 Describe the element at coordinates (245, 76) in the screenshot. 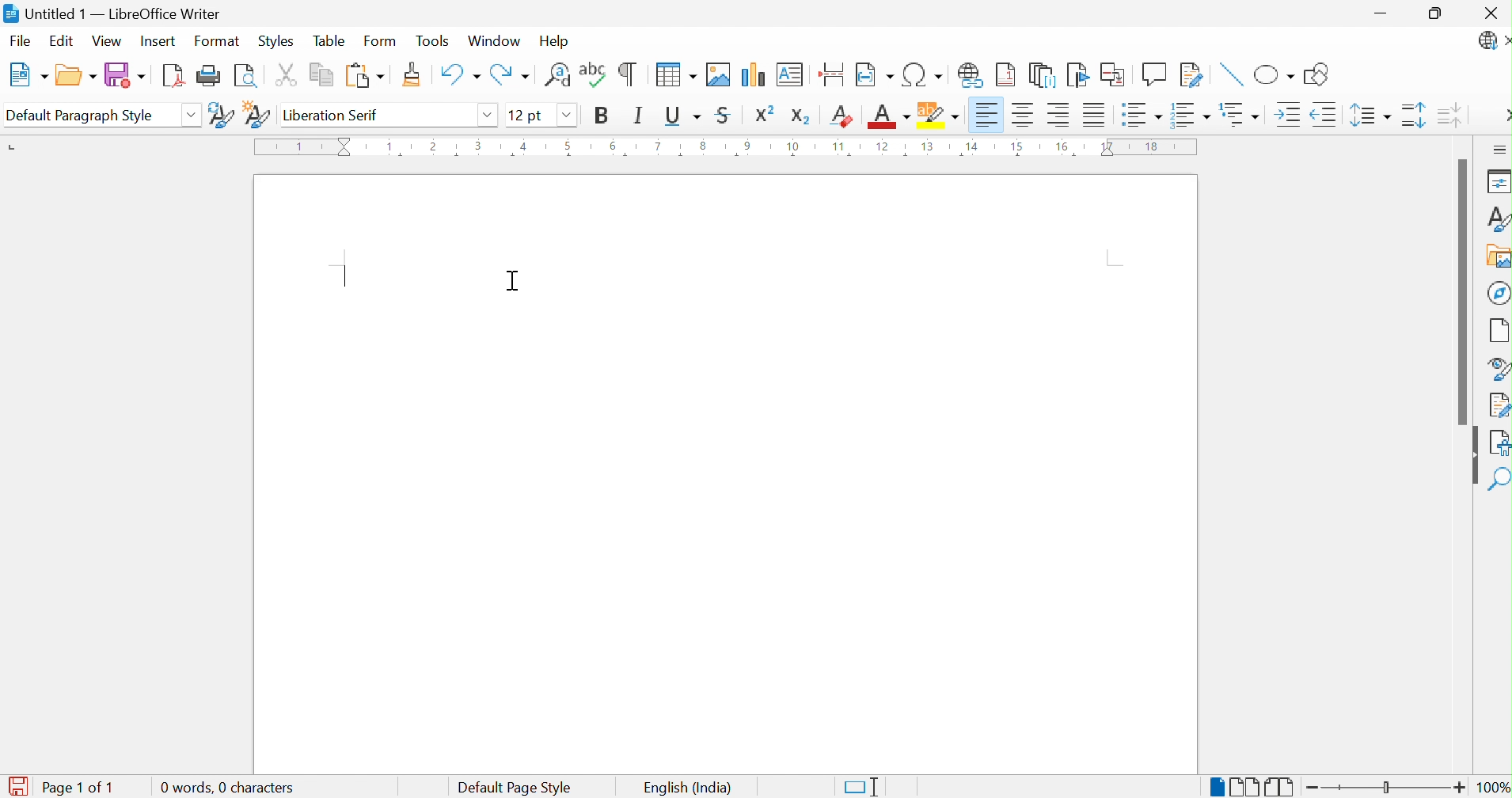

I see `Toggle Print Preview` at that location.